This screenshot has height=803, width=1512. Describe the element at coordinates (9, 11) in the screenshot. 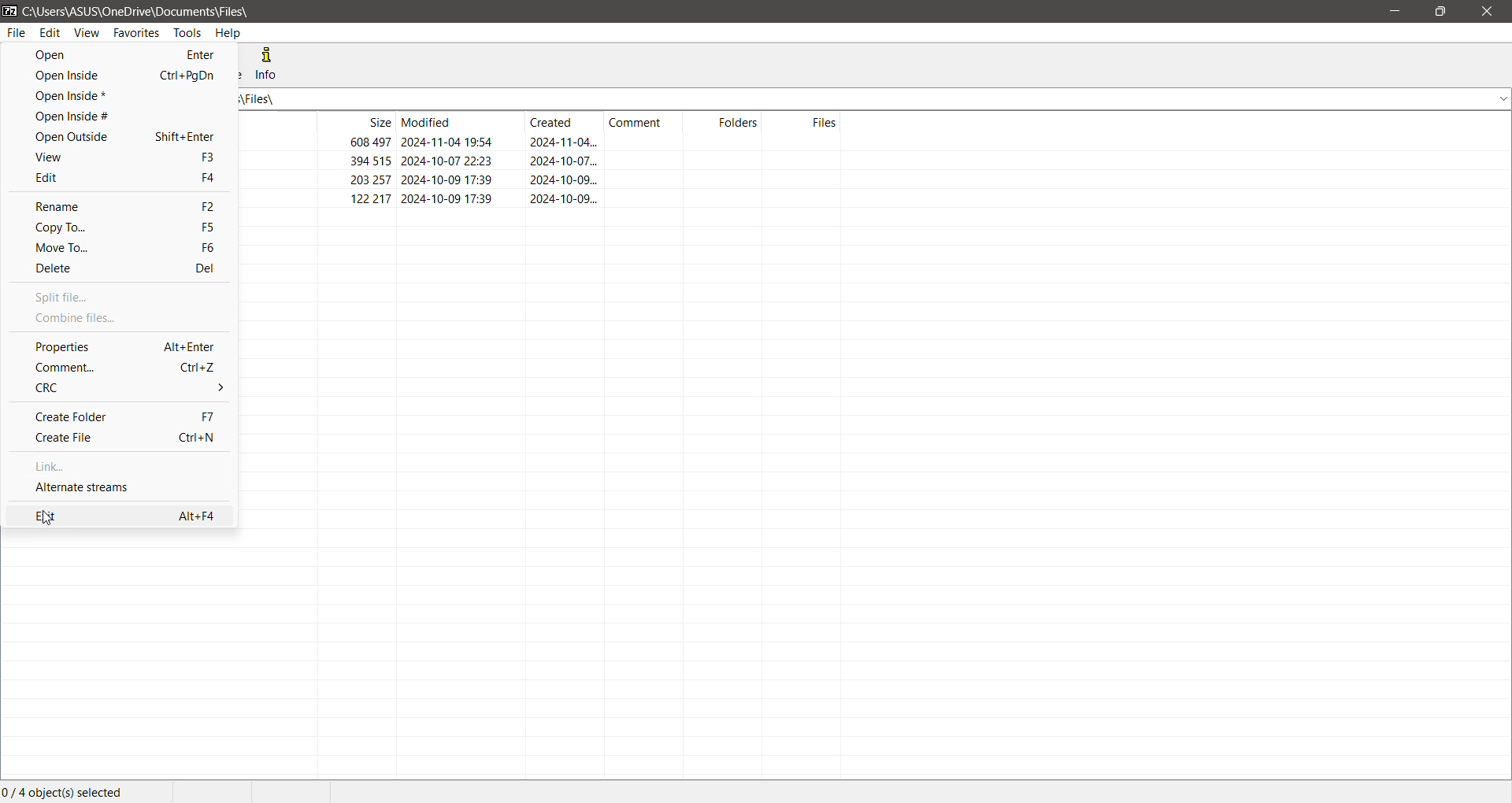

I see `Application Name` at that location.